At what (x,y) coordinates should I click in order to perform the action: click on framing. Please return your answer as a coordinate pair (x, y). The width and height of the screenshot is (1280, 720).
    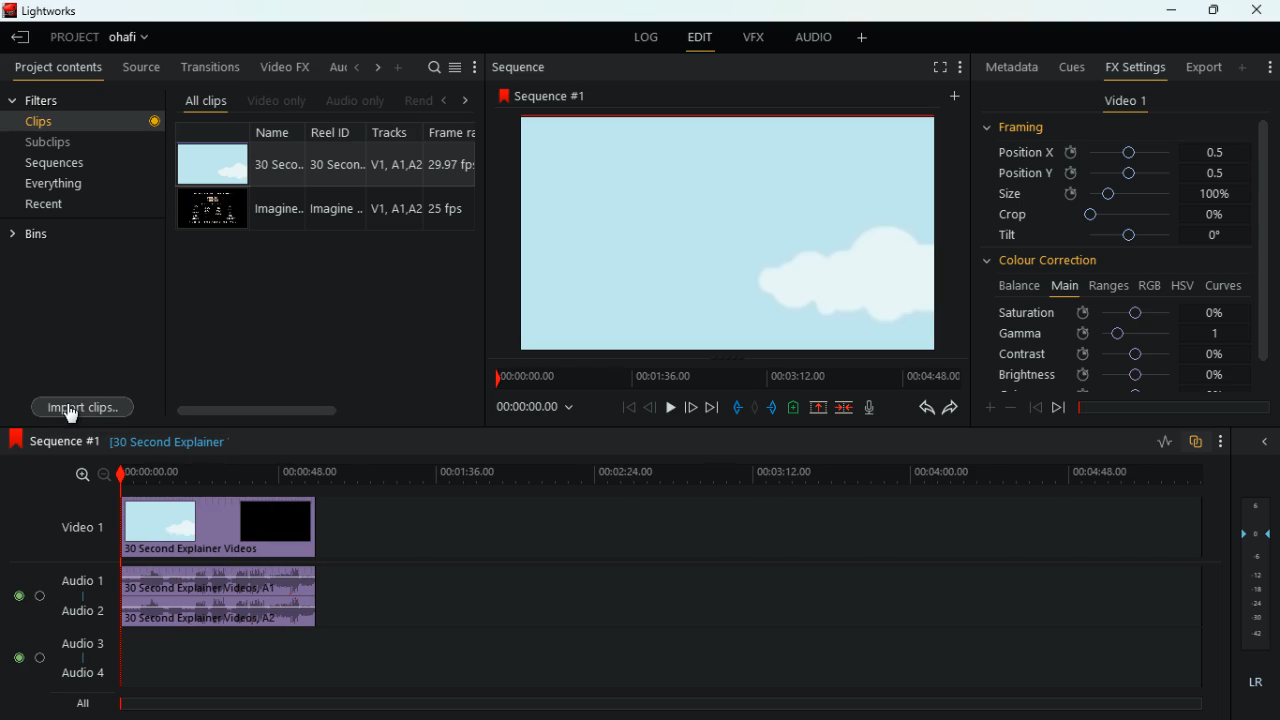
    Looking at the image, I should click on (1026, 129).